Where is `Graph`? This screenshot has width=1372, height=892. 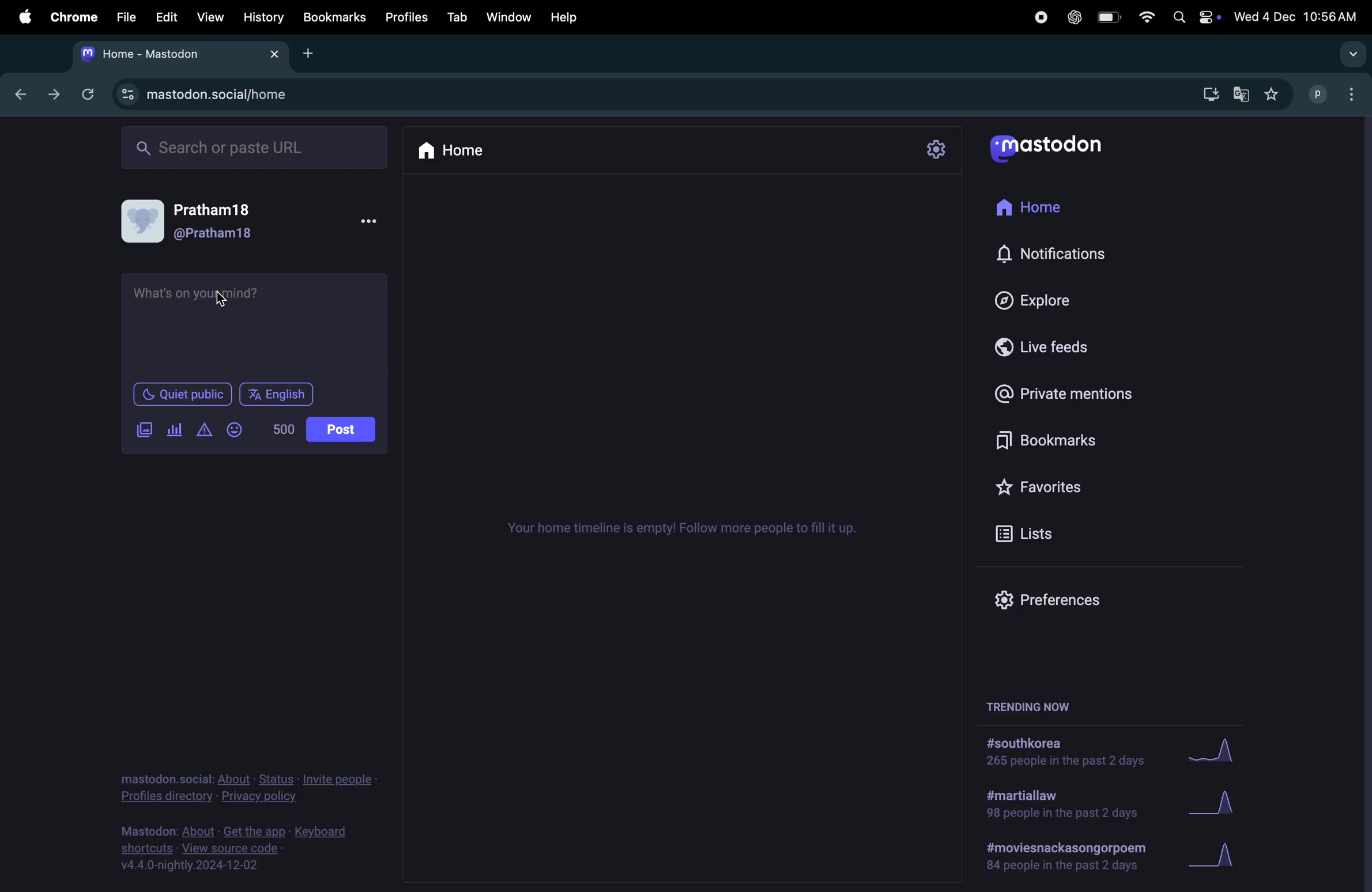
Graph is located at coordinates (1225, 857).